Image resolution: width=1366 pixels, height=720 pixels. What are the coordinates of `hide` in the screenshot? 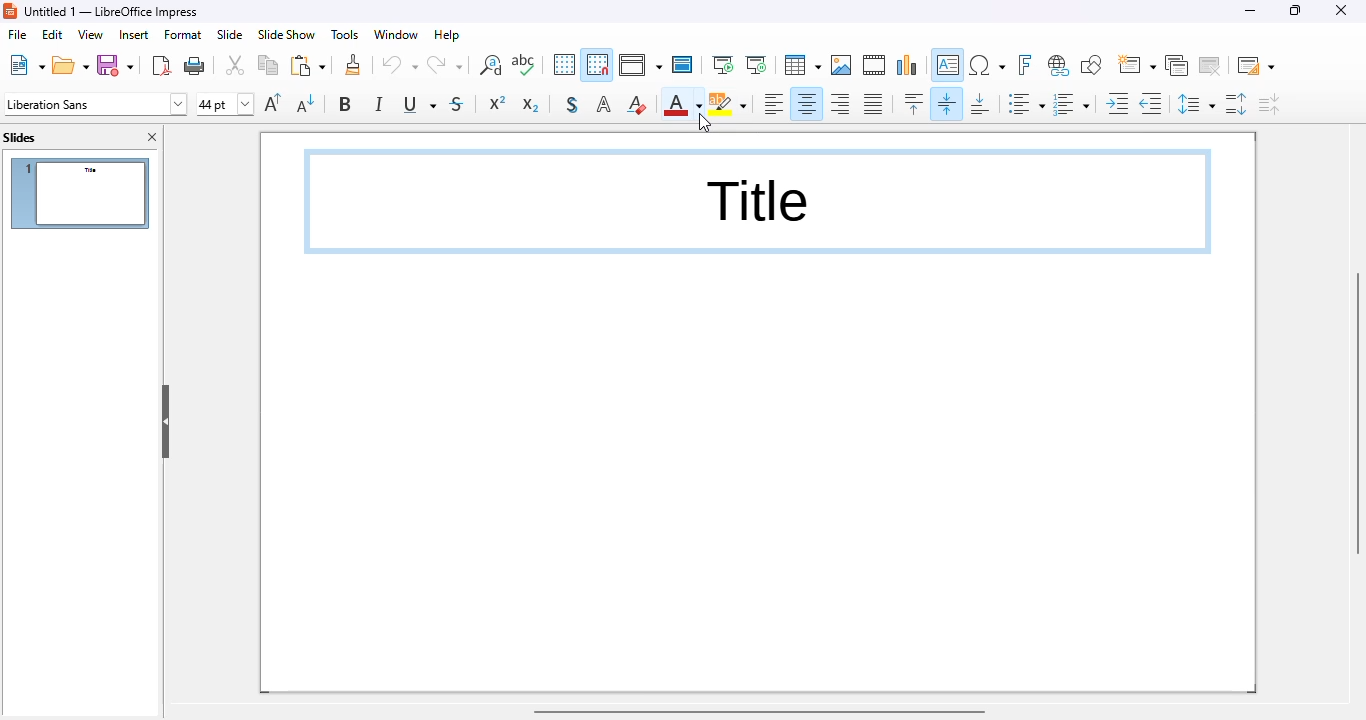 It's located at (166, 421).